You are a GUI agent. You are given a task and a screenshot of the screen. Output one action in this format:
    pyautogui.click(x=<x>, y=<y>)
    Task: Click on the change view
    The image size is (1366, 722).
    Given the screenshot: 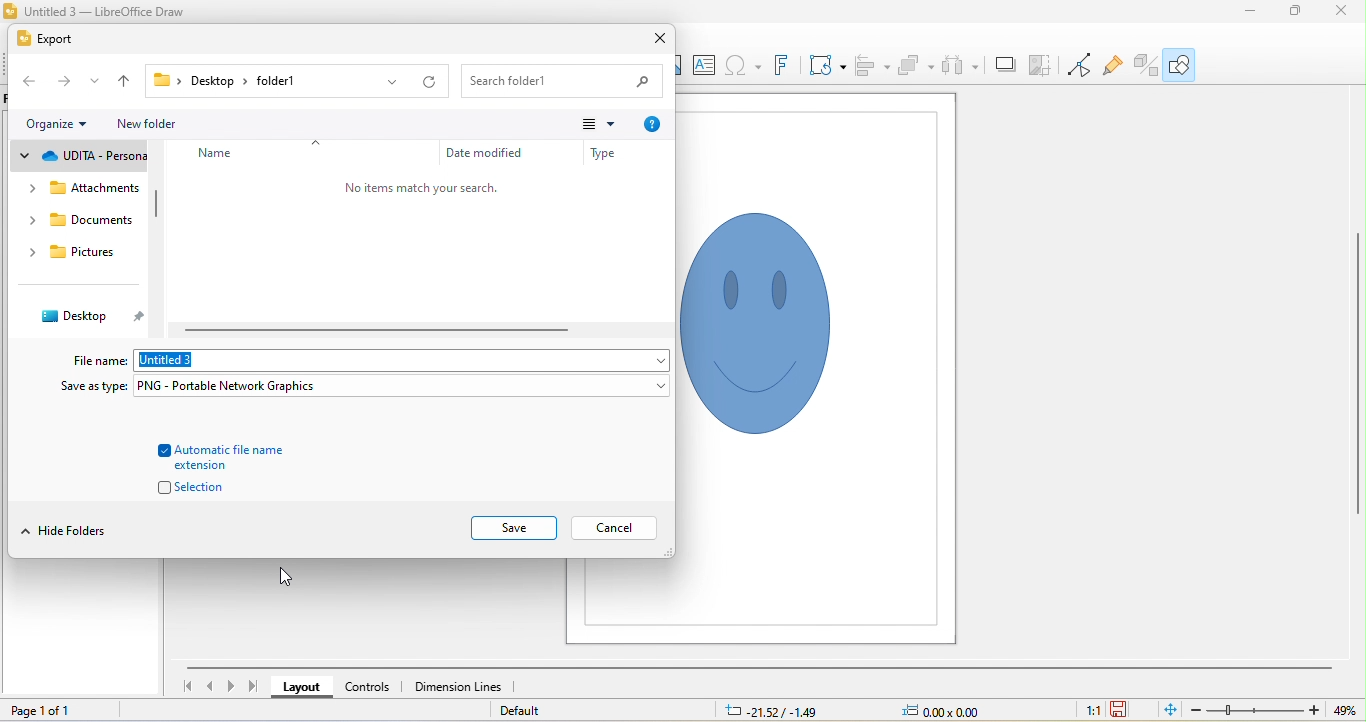 What is the action you would take?
    pyautogui.click(x=601, y=125)
    